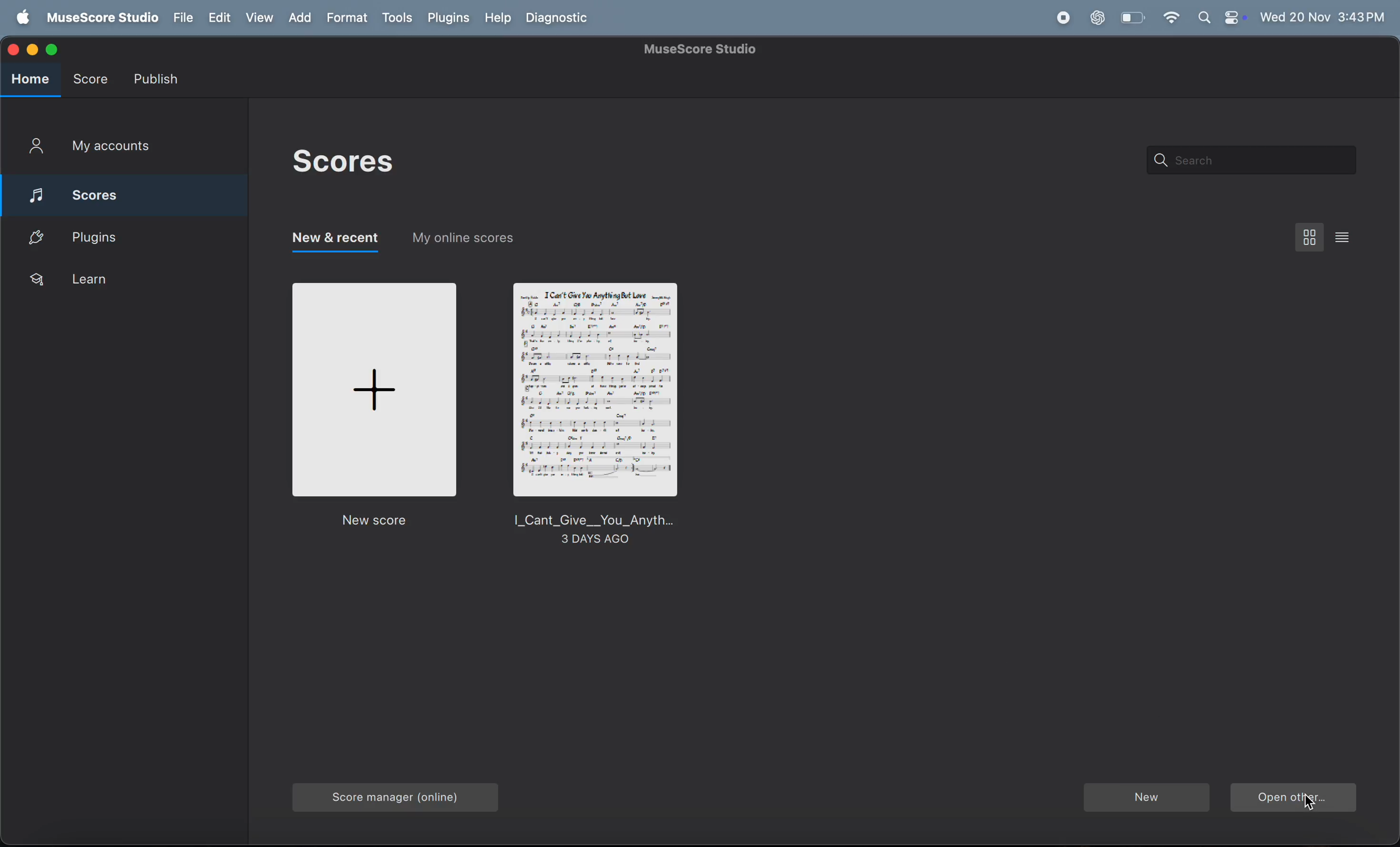 This screenshot has height=847, width=1400. What do you see at coordinates (1310, 801) in the screenshot?
I see `cursor` at bounding box center [1310, 801].